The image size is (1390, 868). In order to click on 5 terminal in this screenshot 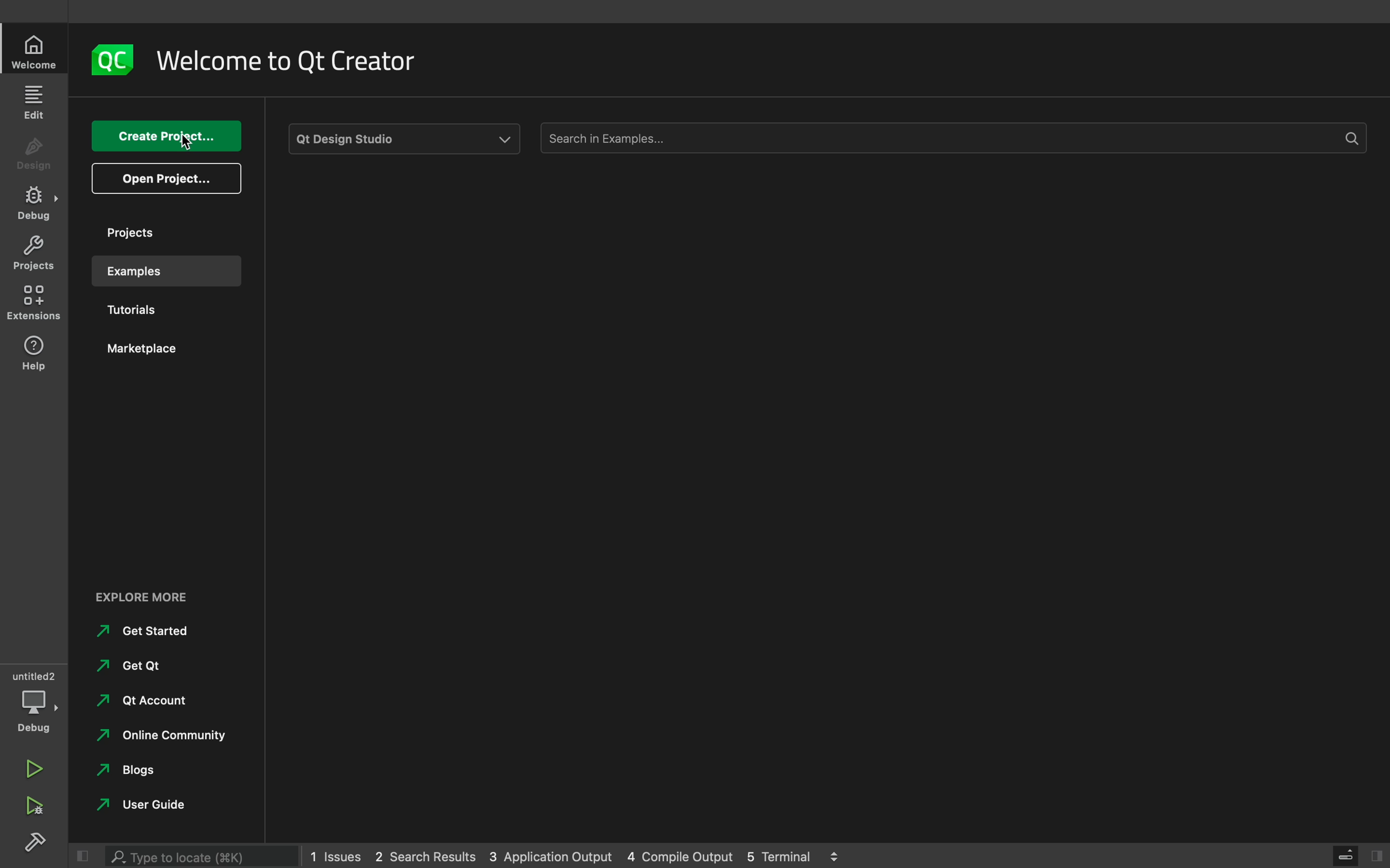, I will do `click(784, 855)`.